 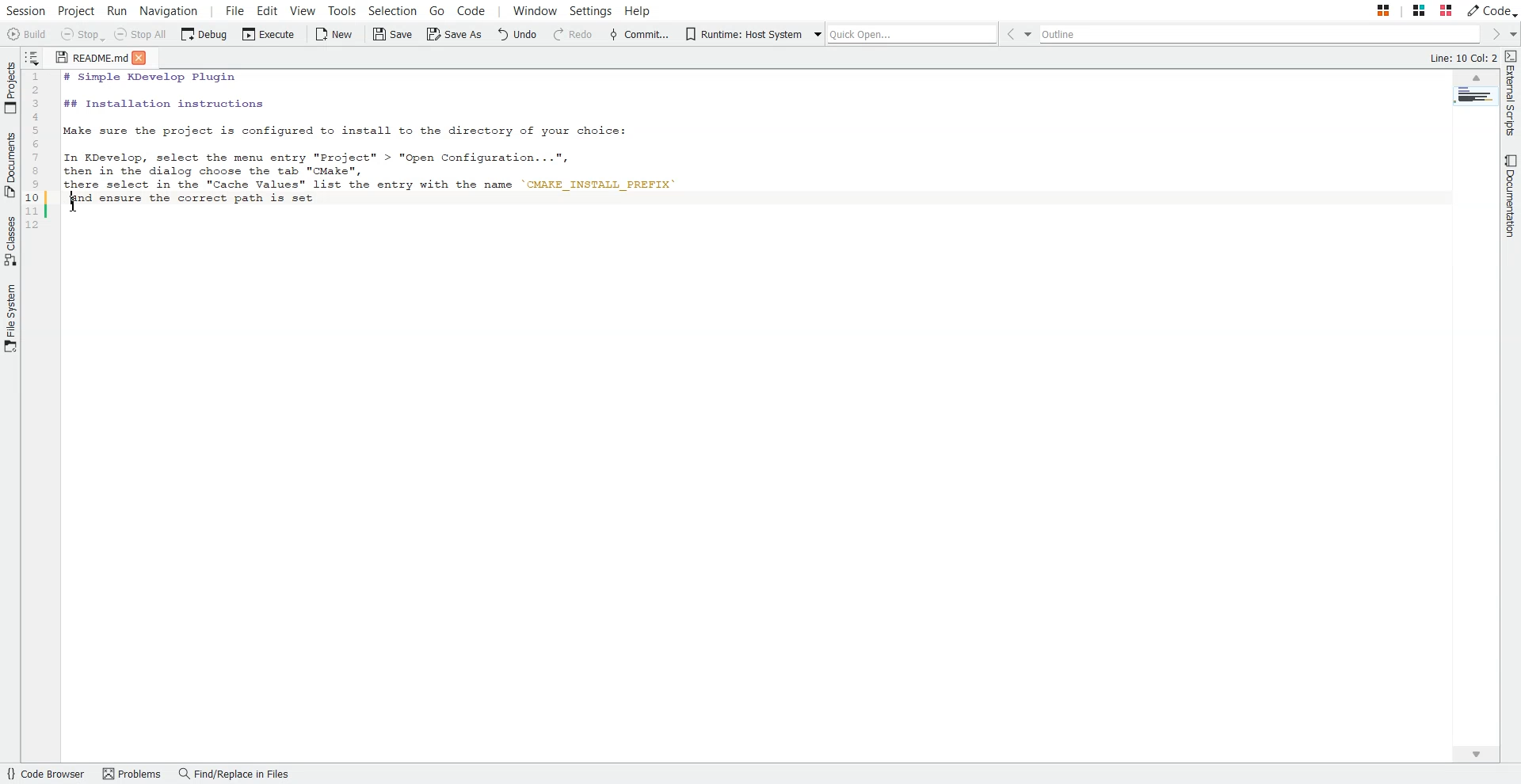 I want to click on Scroll up, so click(x=1475, y=77).